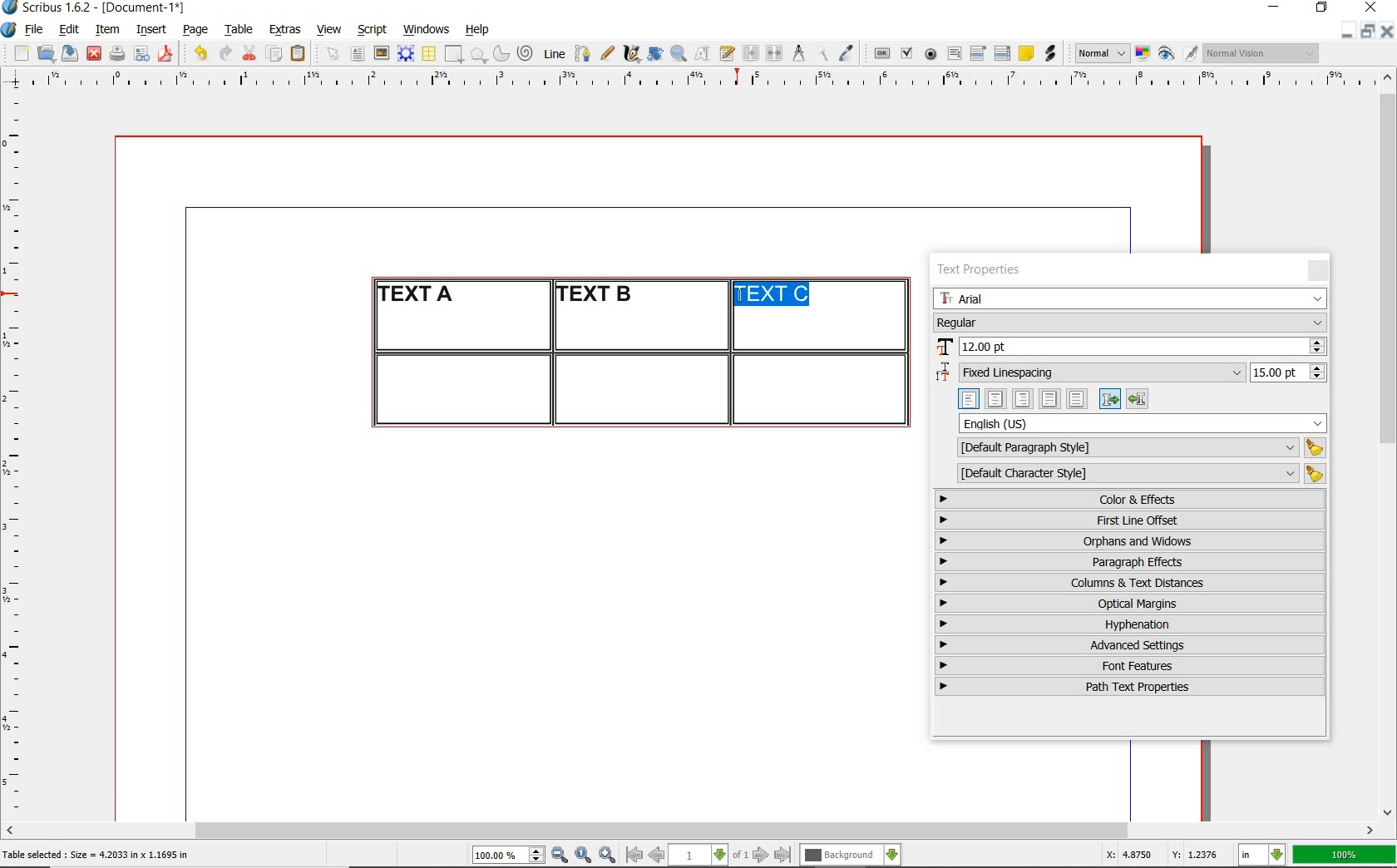 The width and height of the screenshot is (1397, 868). Describe the element at coordinates (783, 856) in the screenshot. I see `go to last page` at that location.